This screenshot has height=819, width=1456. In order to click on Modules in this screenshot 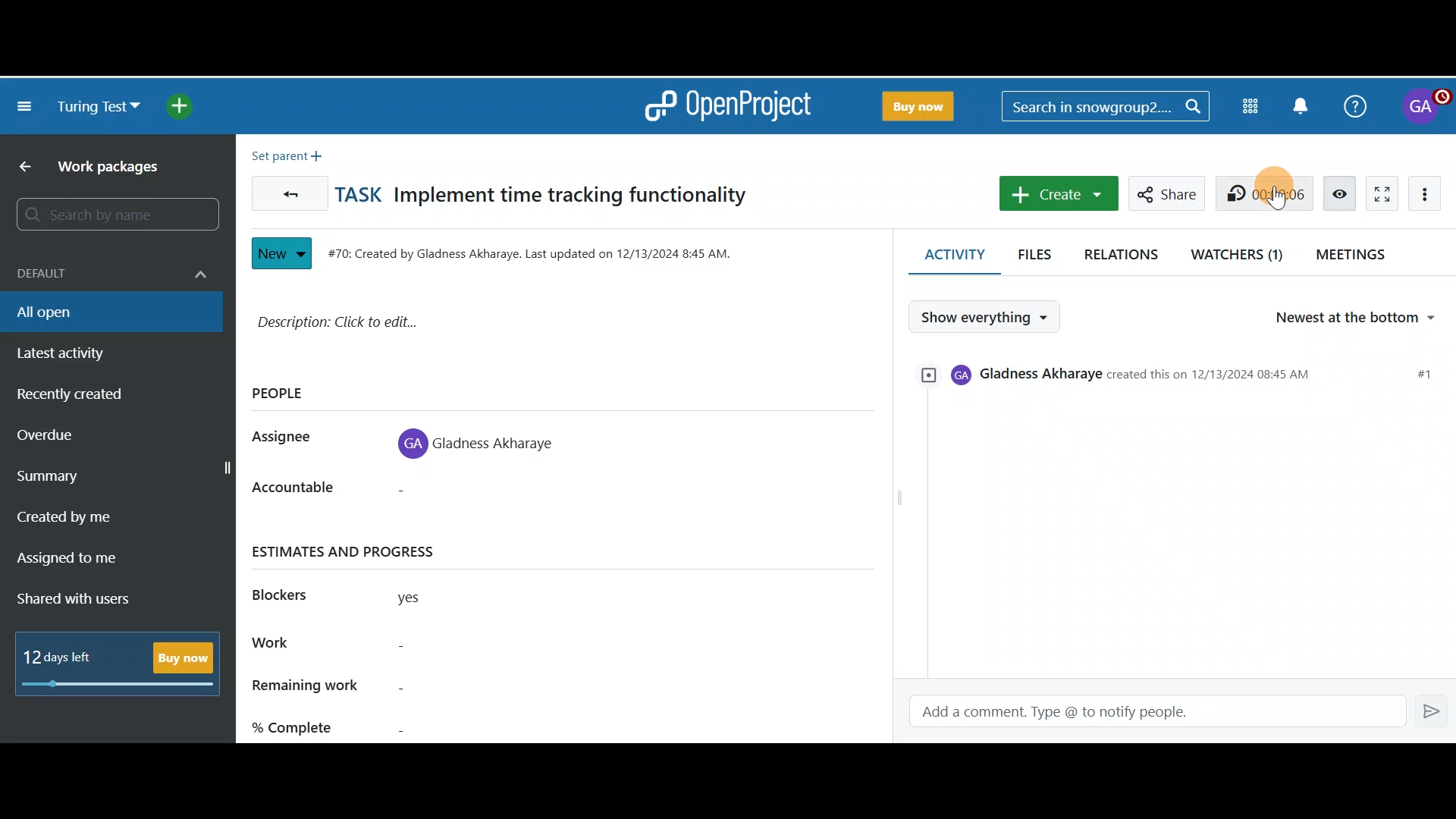, I will do `click(1253, 104)`.